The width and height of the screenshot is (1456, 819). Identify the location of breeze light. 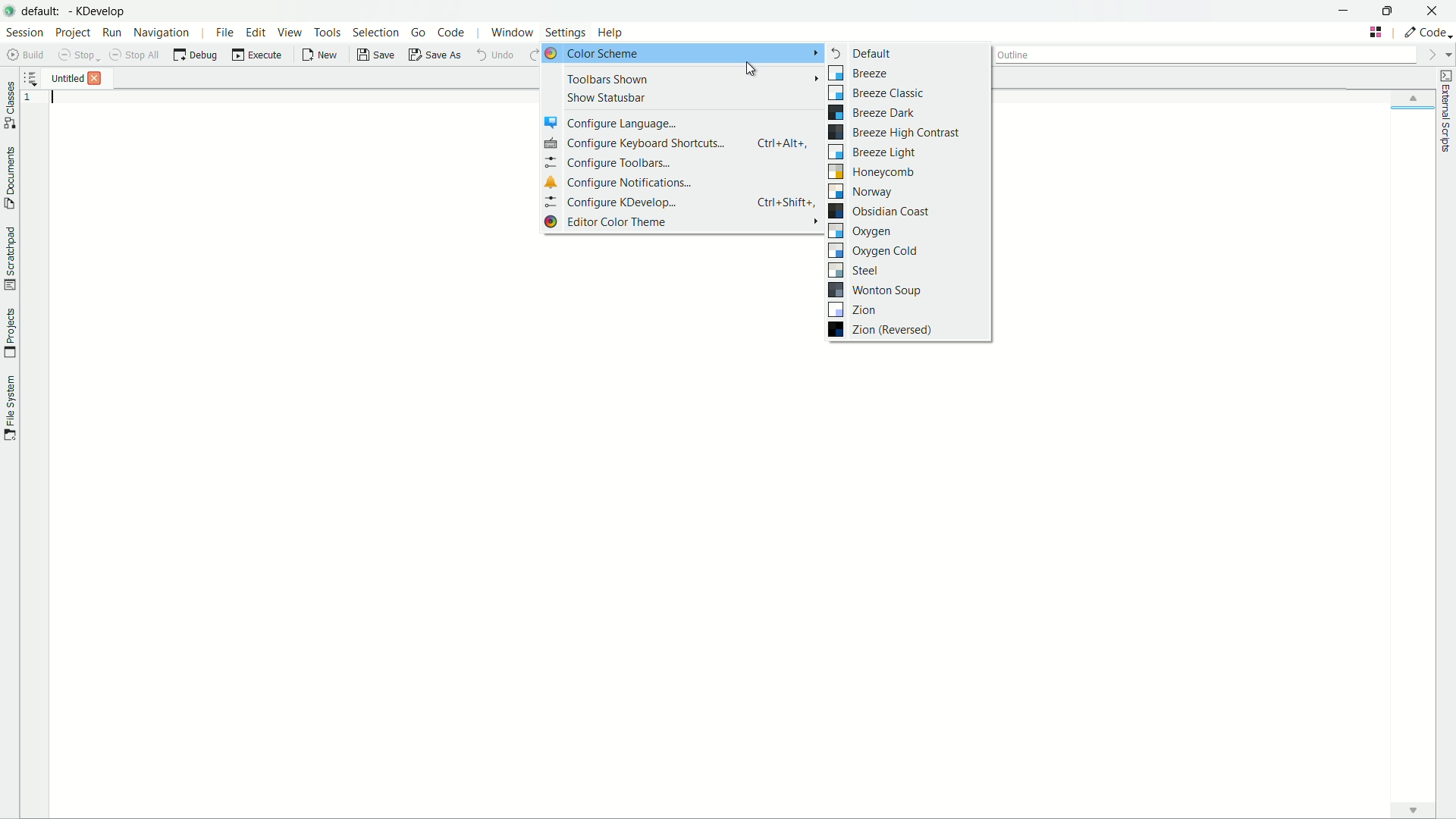
(873, 151).